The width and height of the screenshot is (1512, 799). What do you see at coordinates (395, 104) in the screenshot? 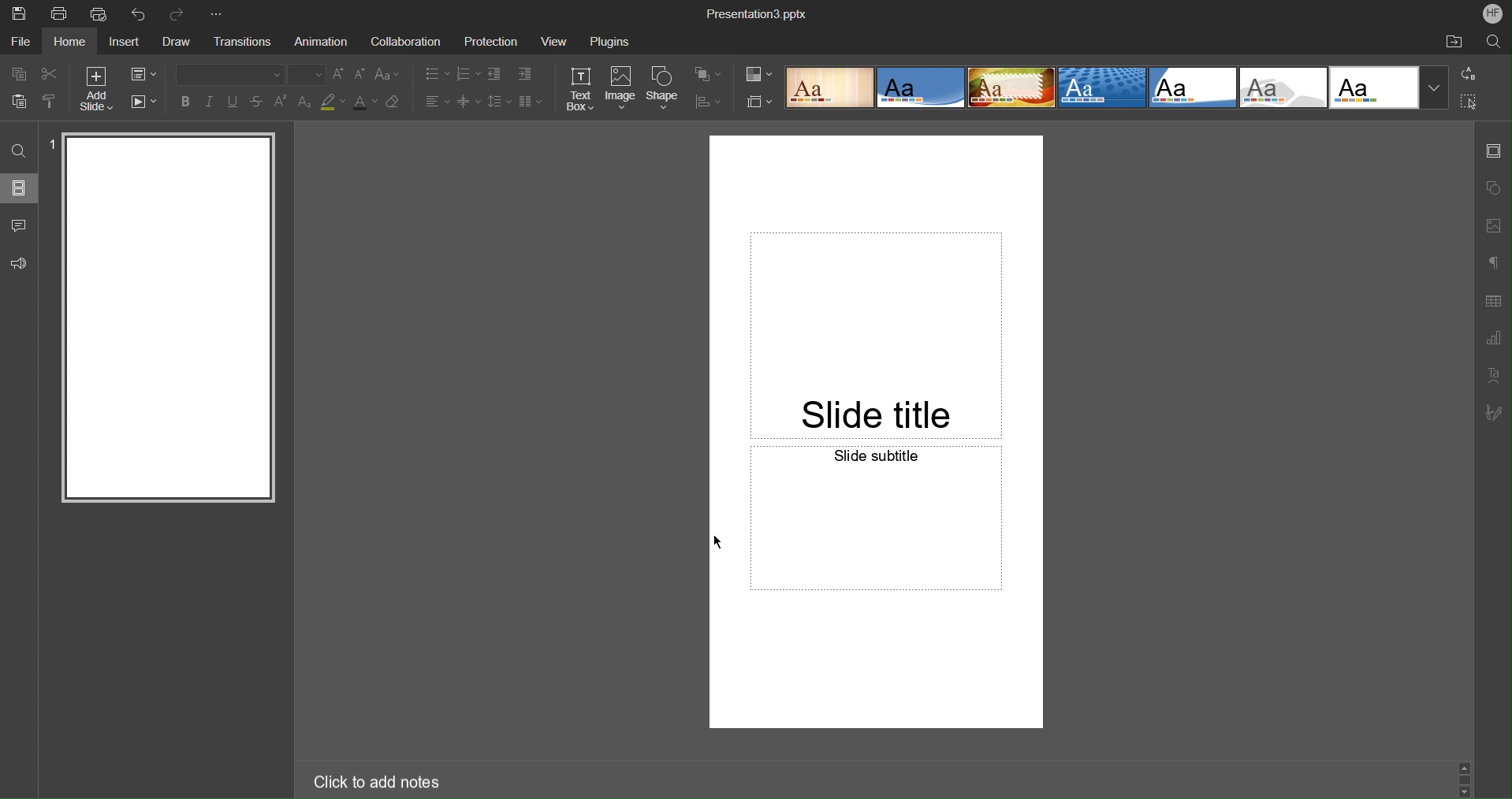
I see `Erase Style` at bounding box center [395, 104].